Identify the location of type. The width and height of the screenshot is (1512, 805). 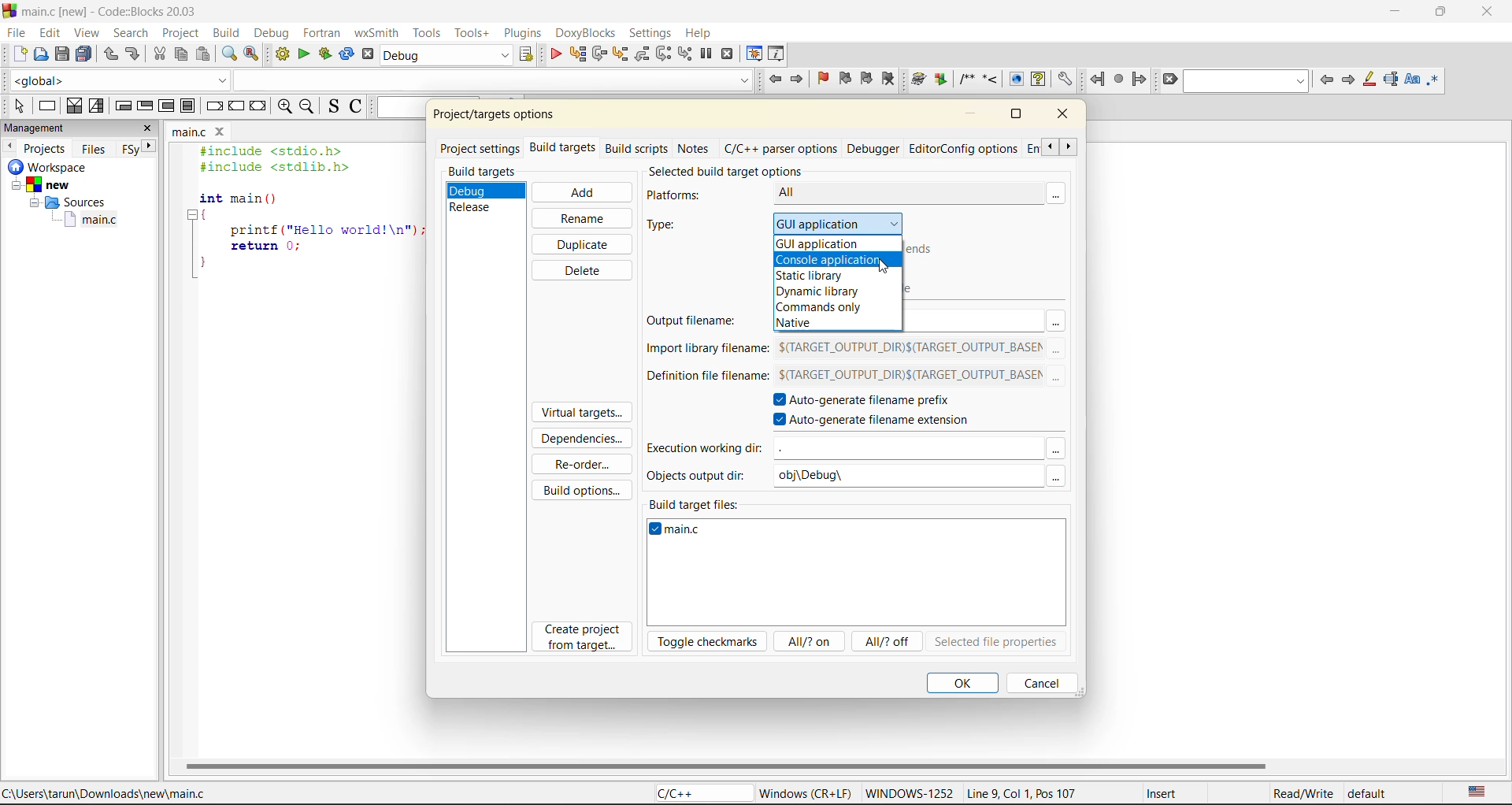
(673, 226).